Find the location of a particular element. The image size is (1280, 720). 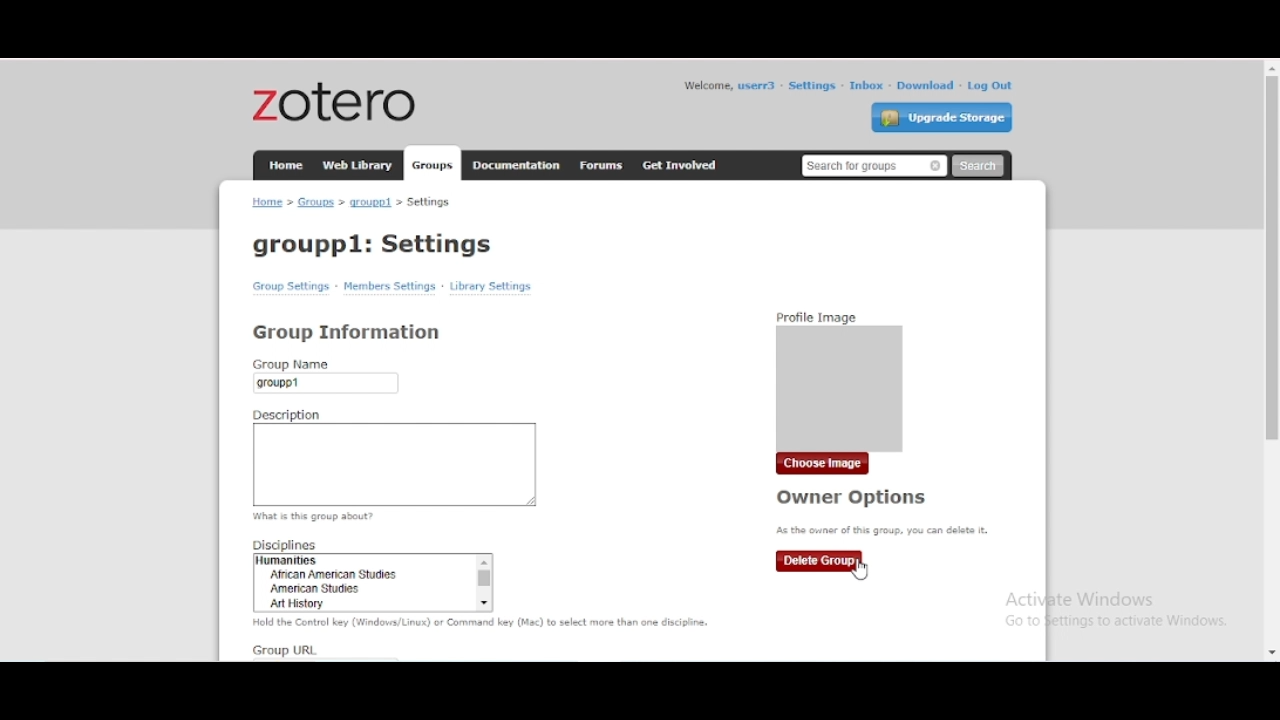

settings is located at coordinates (812, 86).